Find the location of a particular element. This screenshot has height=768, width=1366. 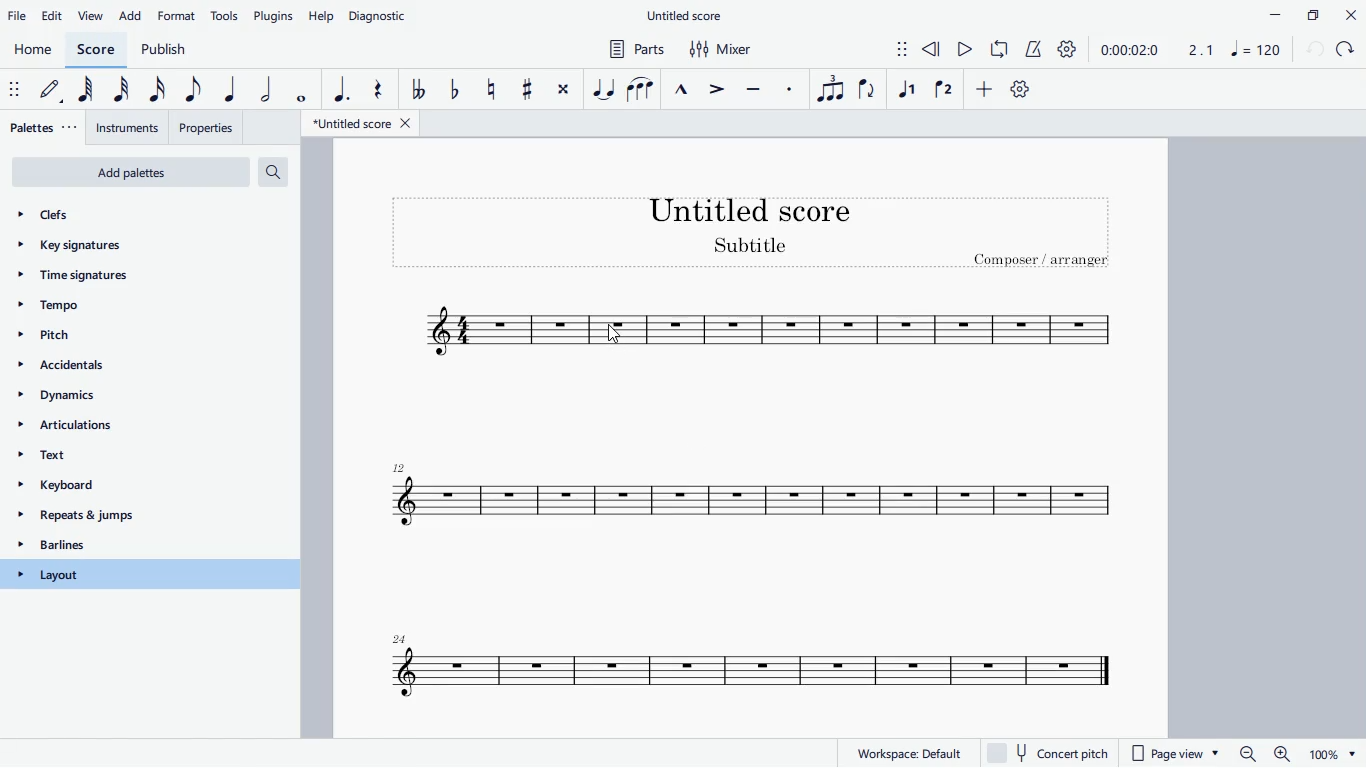

home is located at coordinates (34, 51).